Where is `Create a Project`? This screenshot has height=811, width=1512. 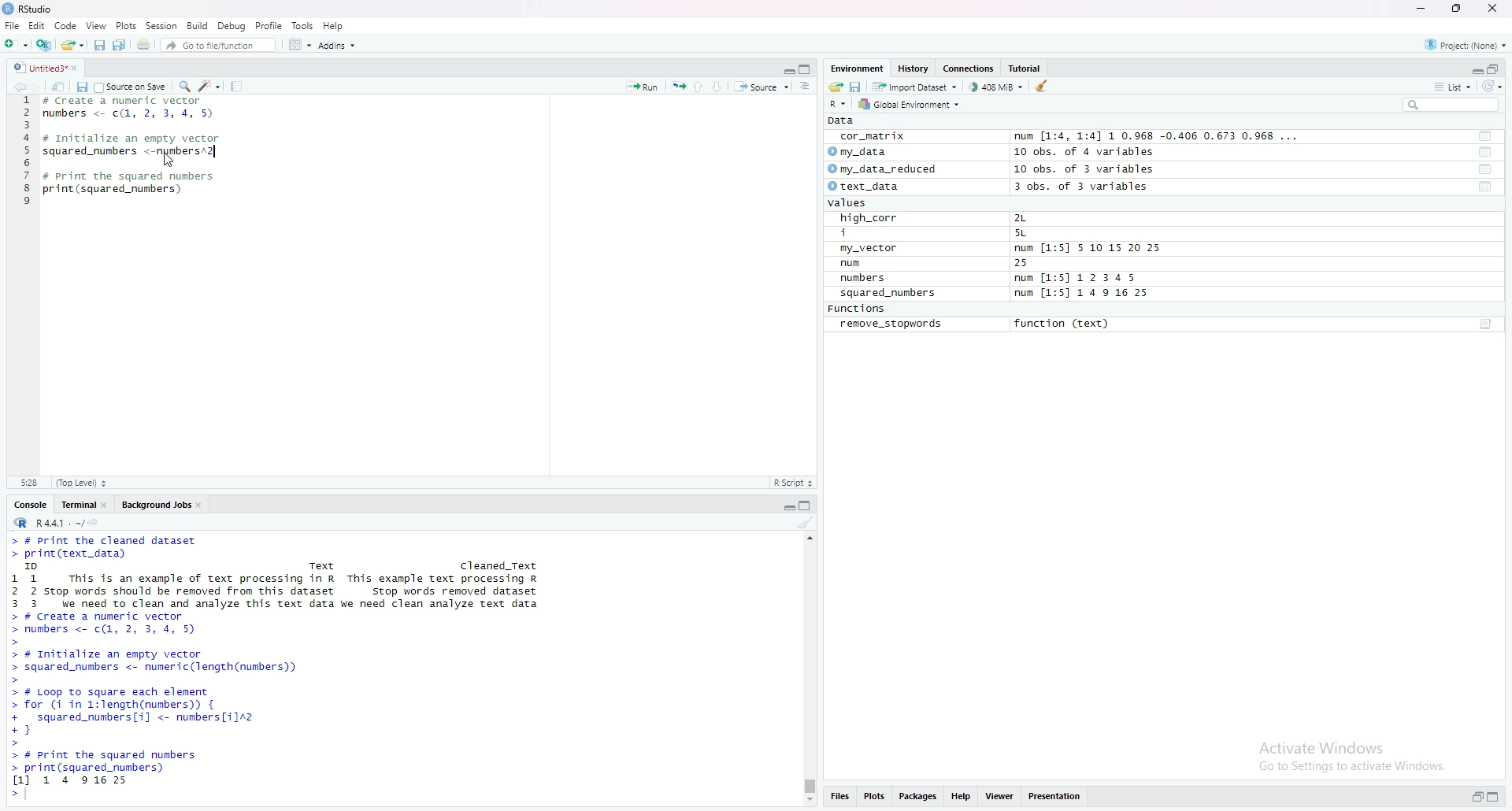
Create a Project is located at coordinates (43, 43).